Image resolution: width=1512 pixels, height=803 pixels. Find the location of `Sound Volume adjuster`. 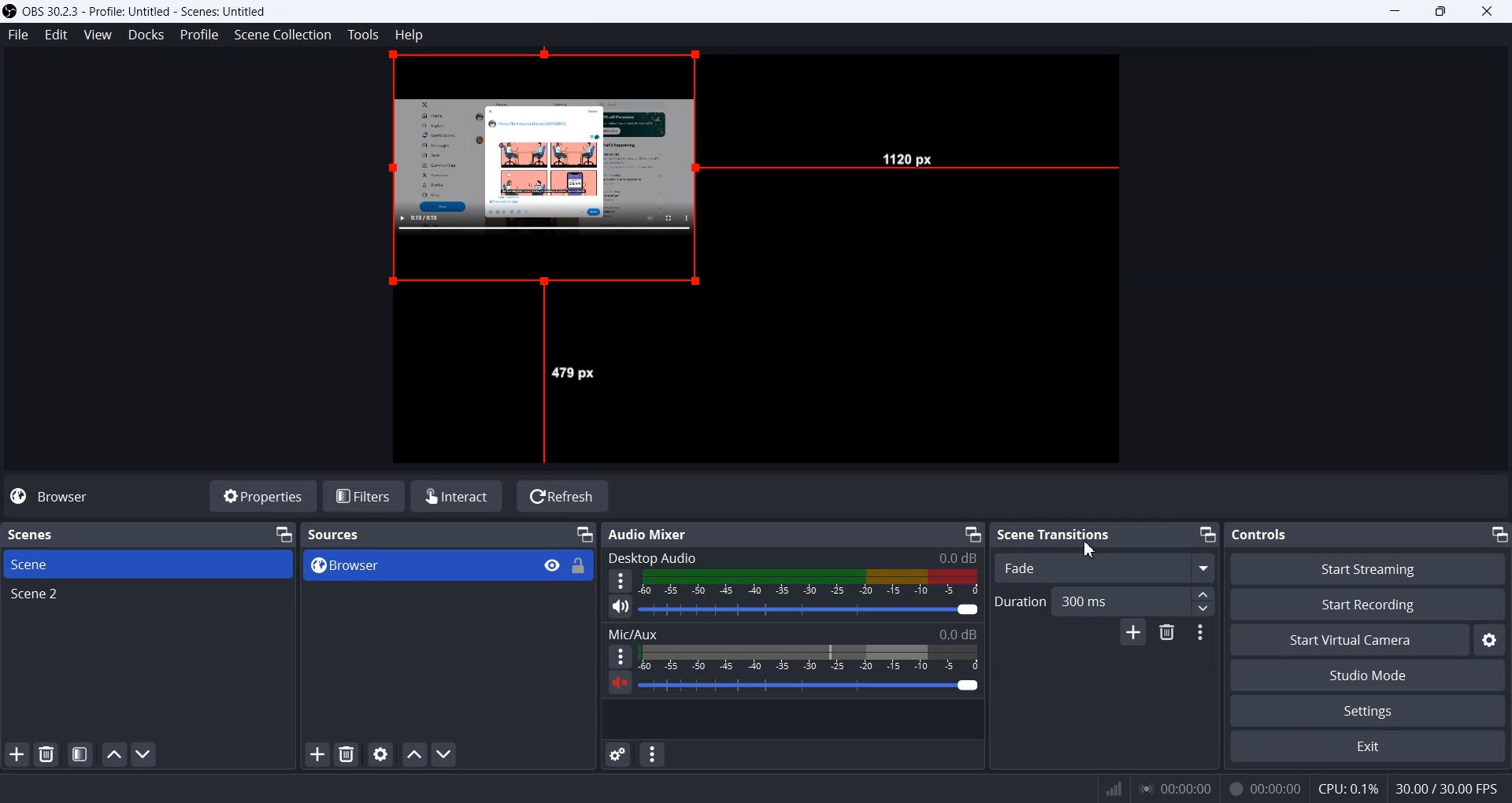

Sound Volume adjuster is located at coordinates (818, 686).